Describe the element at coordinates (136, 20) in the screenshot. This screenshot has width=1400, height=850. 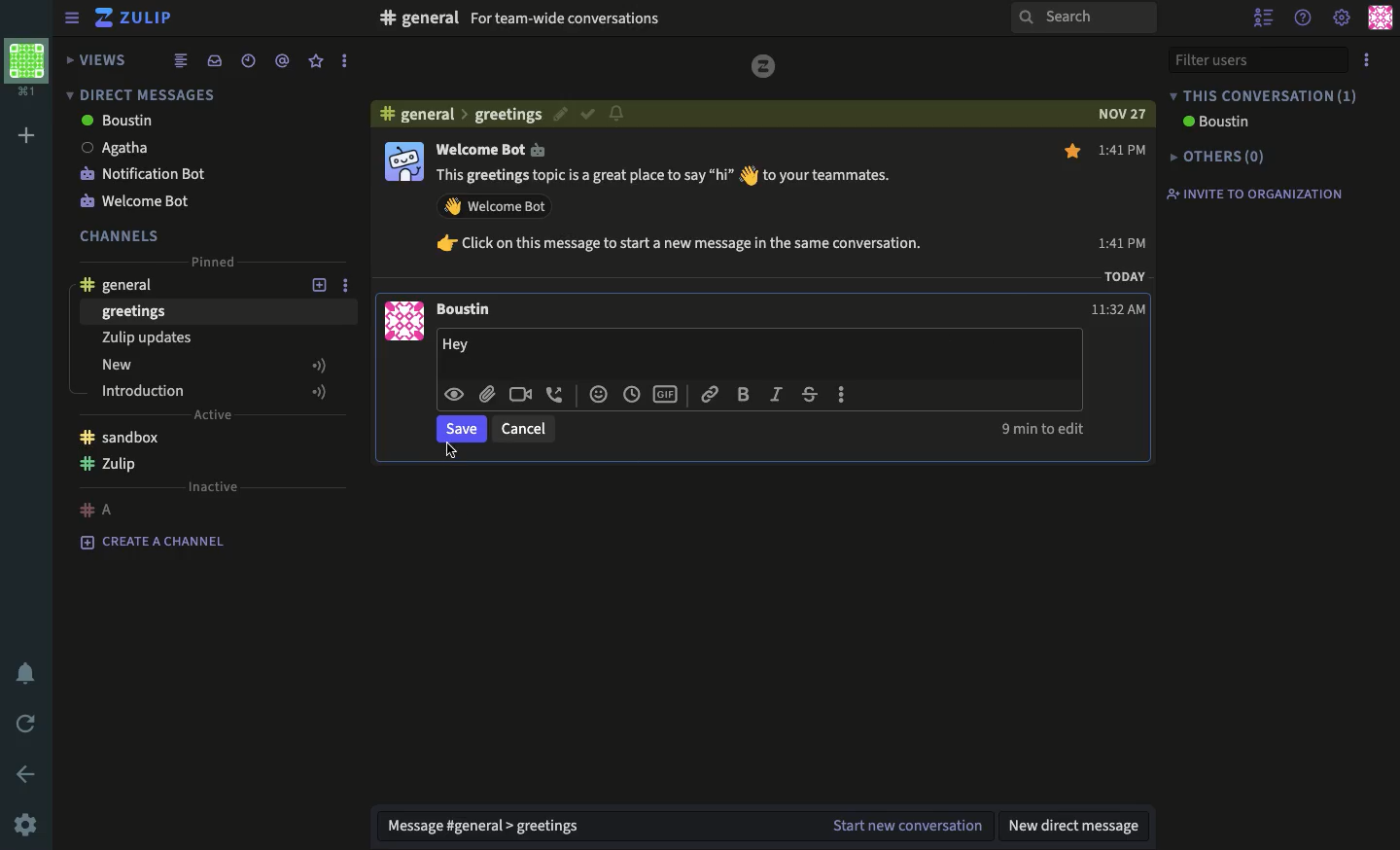
I see `Zulip` at that location.